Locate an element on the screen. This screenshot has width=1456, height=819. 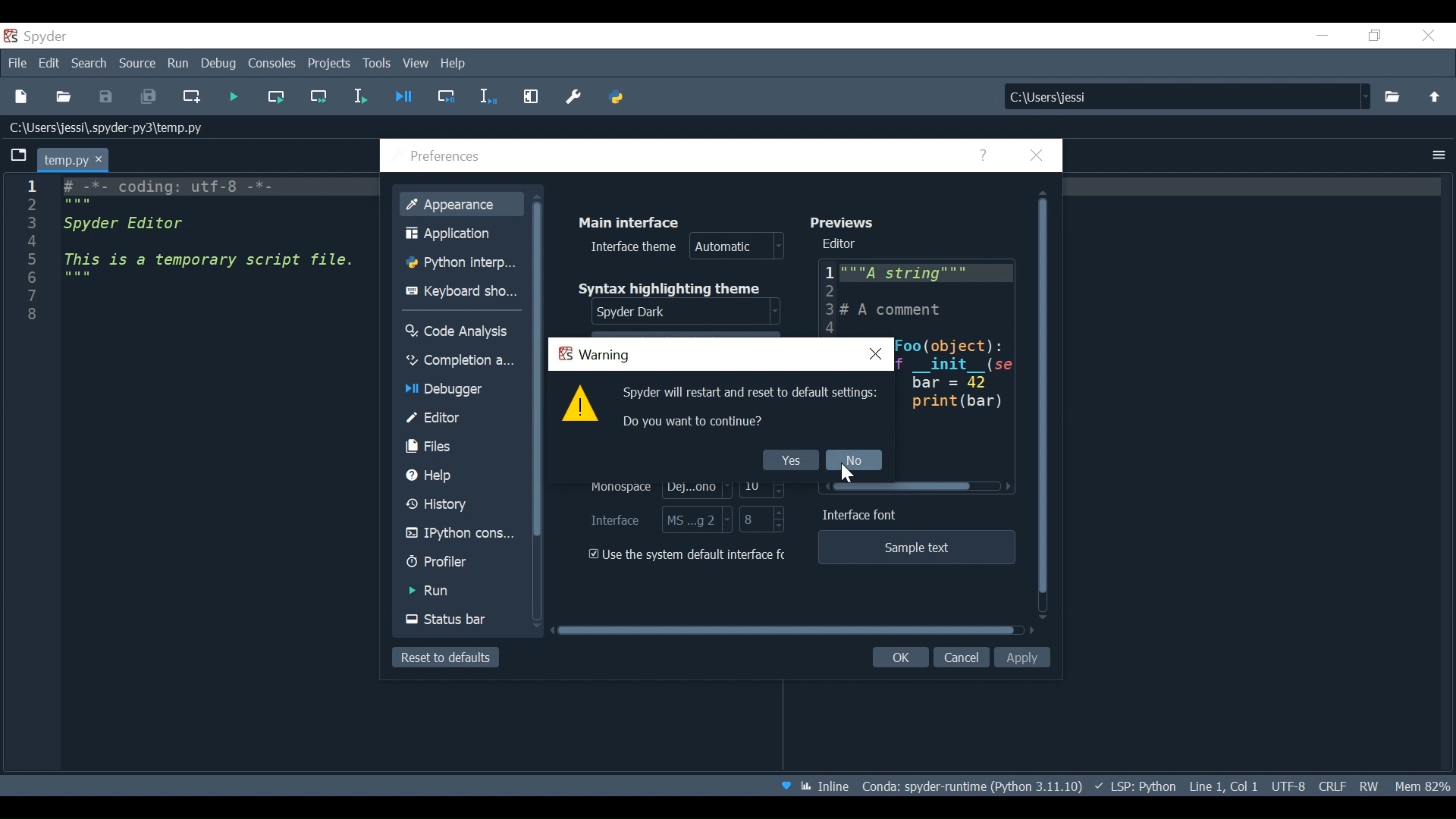
Run selection or current line is located at coordinates (360, 97).